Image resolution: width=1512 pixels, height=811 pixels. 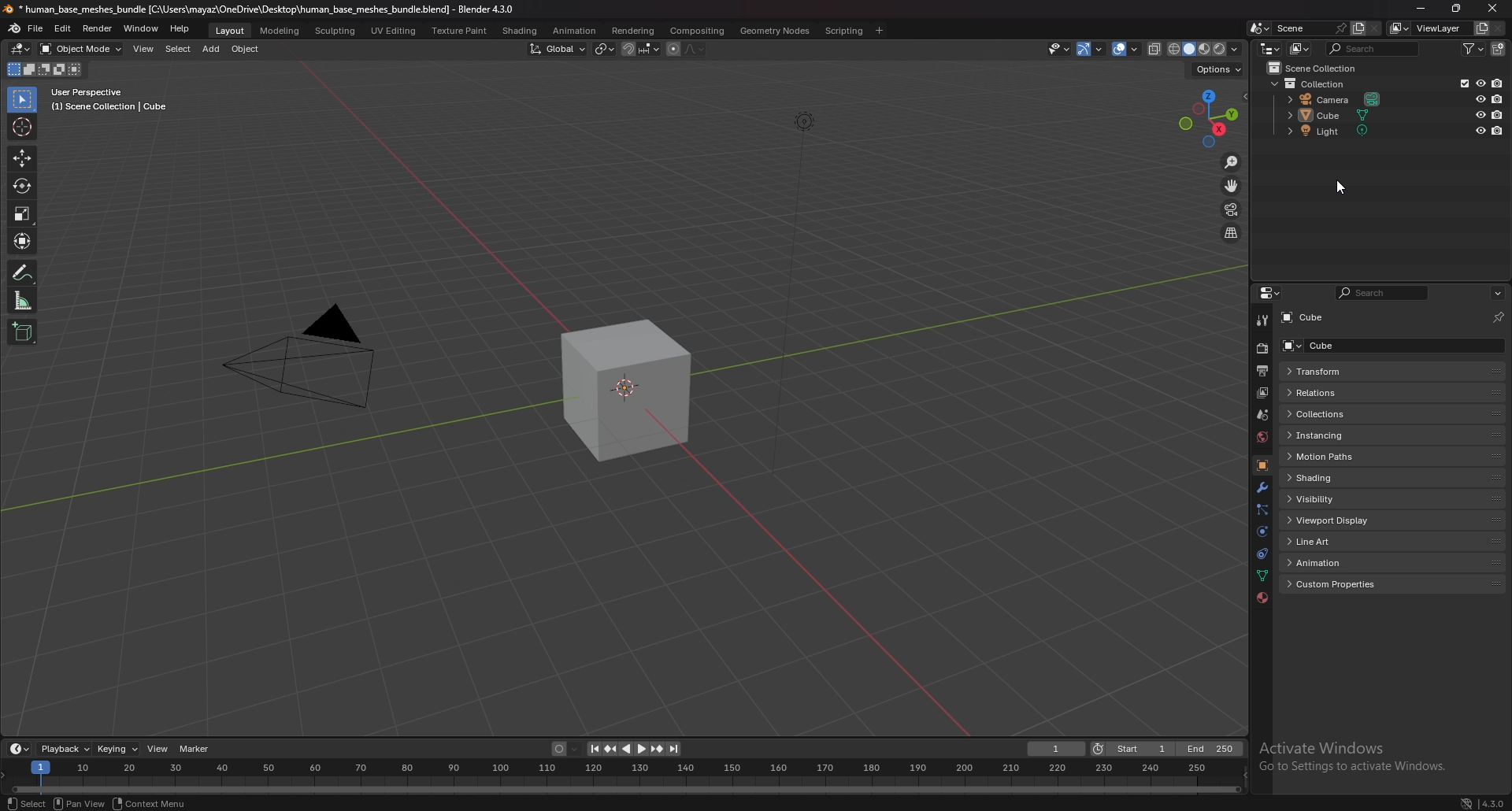 What do you see at coordinates (1339, 98) in the screenshot?
I see `camera` at bounding box center [1339, 98].